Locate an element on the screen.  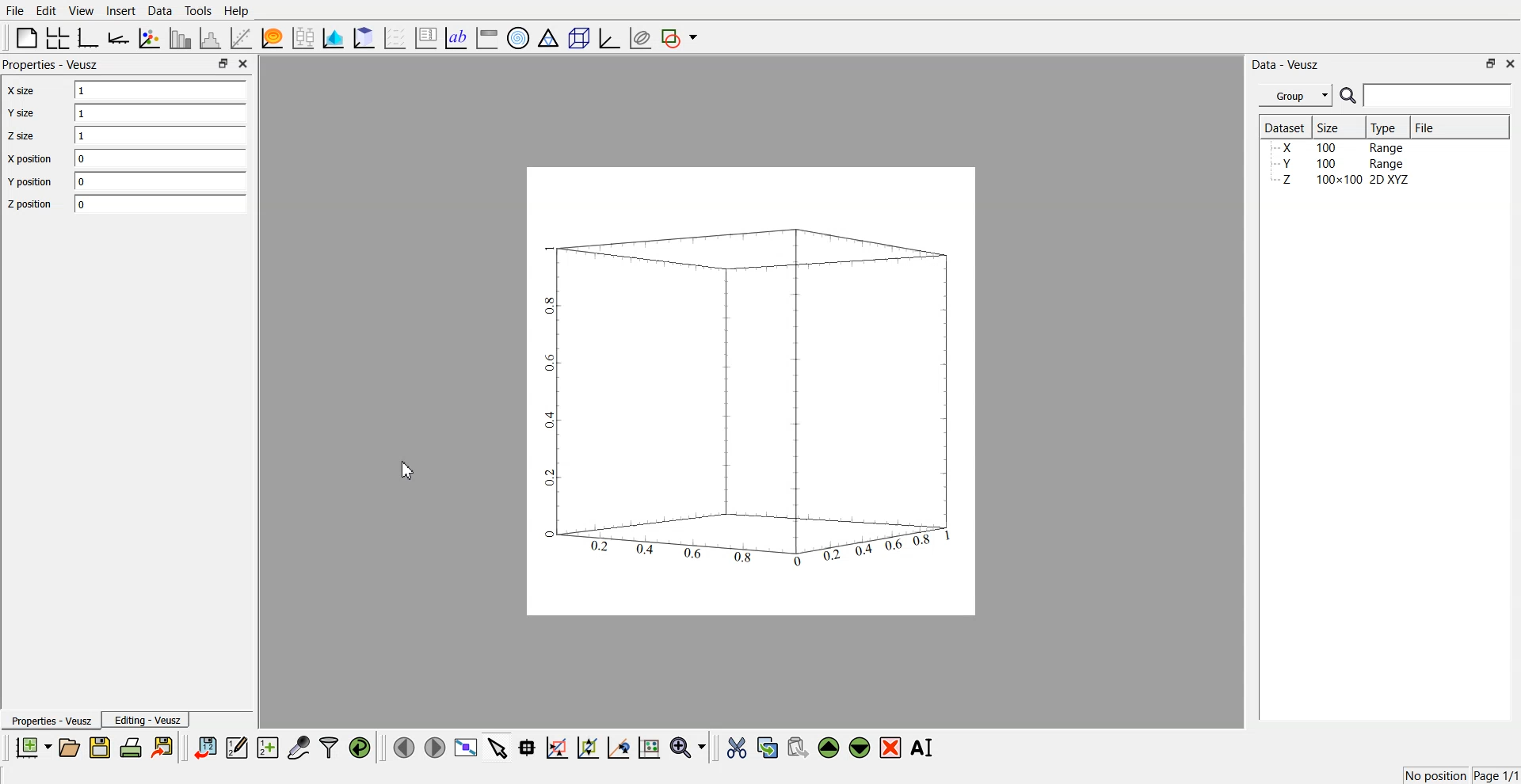
Move to the next page is located at coordinates (435, 746).